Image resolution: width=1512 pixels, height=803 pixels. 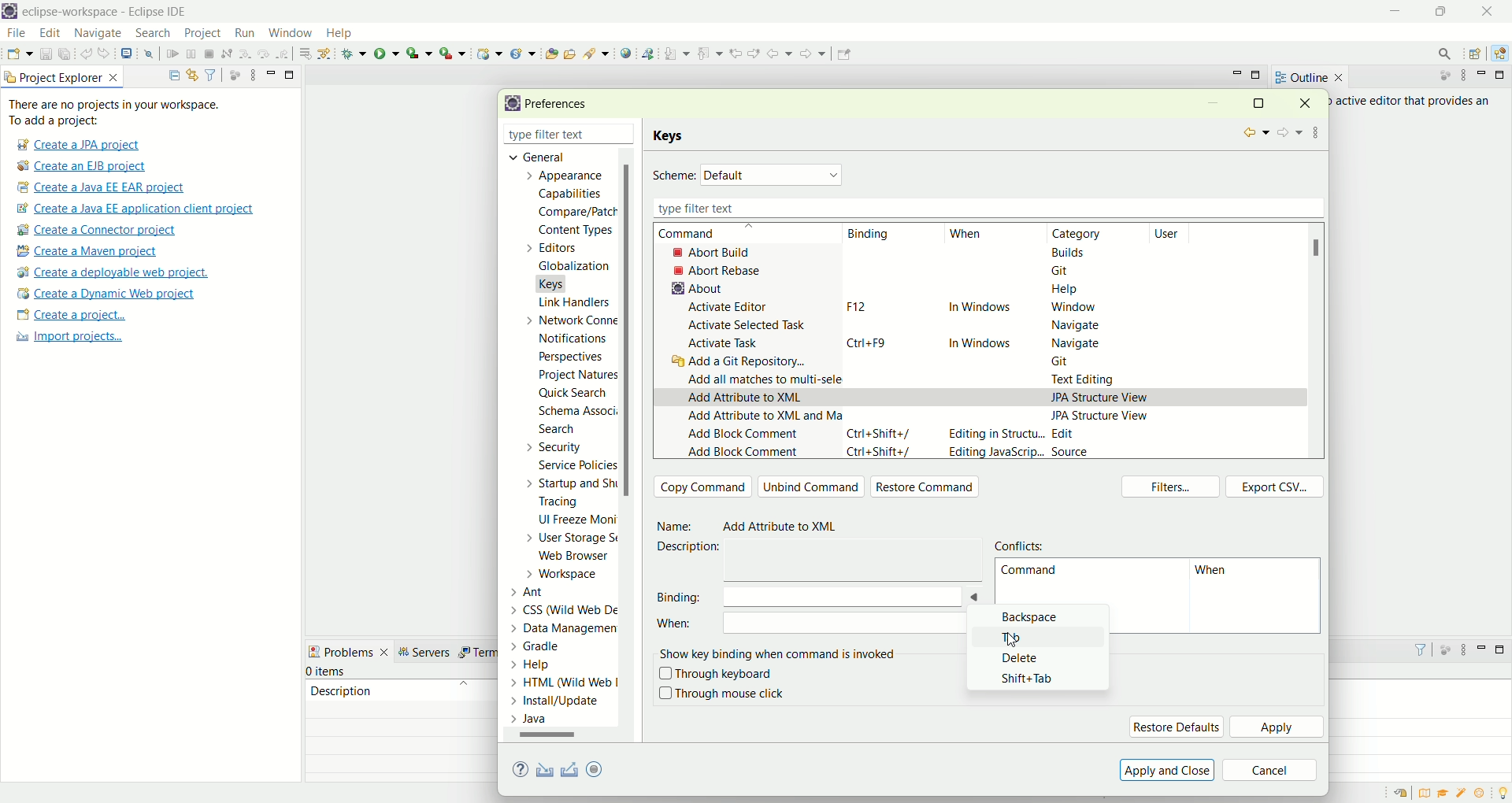 I want to click on copy command, so click(x=703, y=487).